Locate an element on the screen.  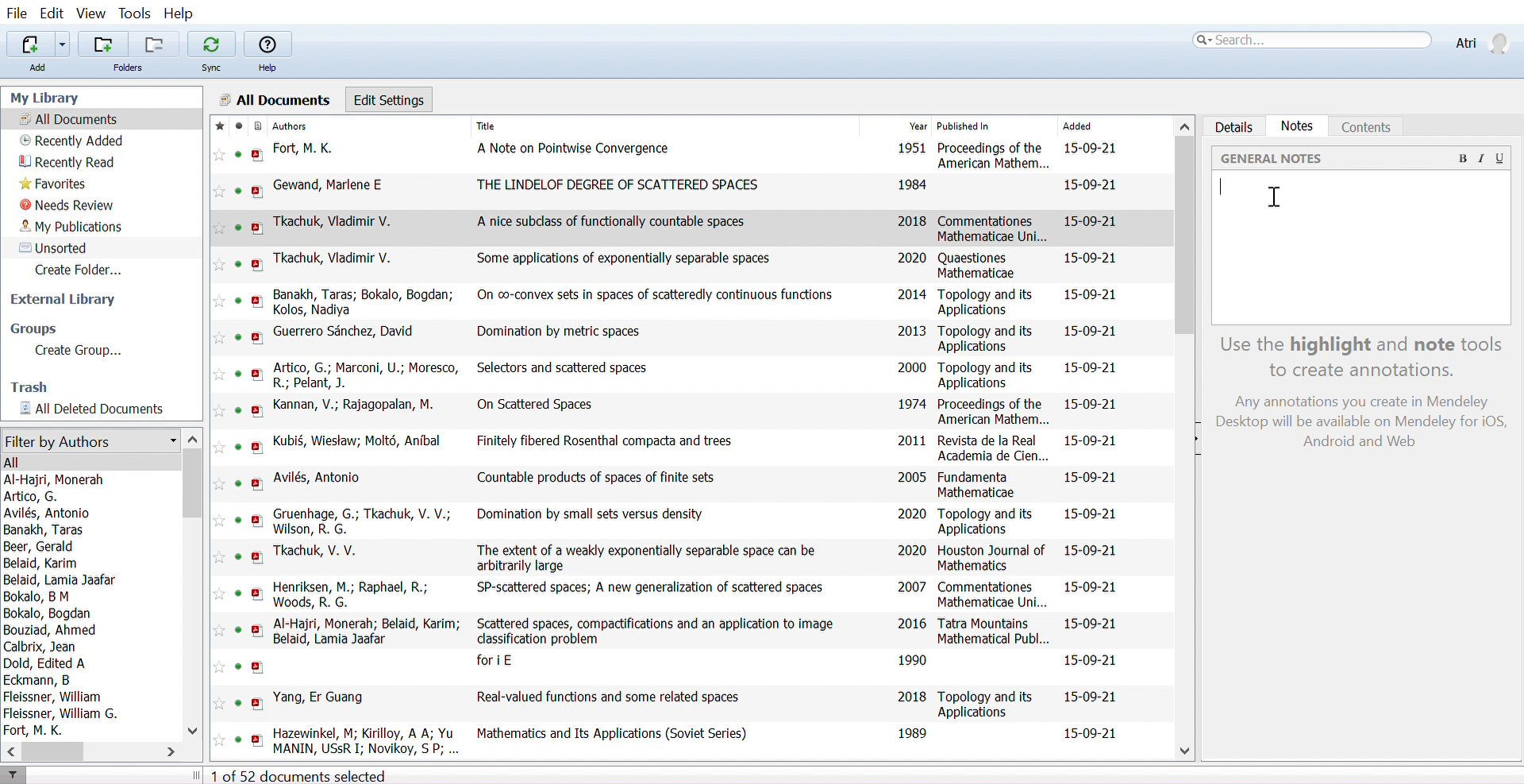
On co-convex sets in spaces of scatteredly continuous functions is located at coordinates (655, 294).